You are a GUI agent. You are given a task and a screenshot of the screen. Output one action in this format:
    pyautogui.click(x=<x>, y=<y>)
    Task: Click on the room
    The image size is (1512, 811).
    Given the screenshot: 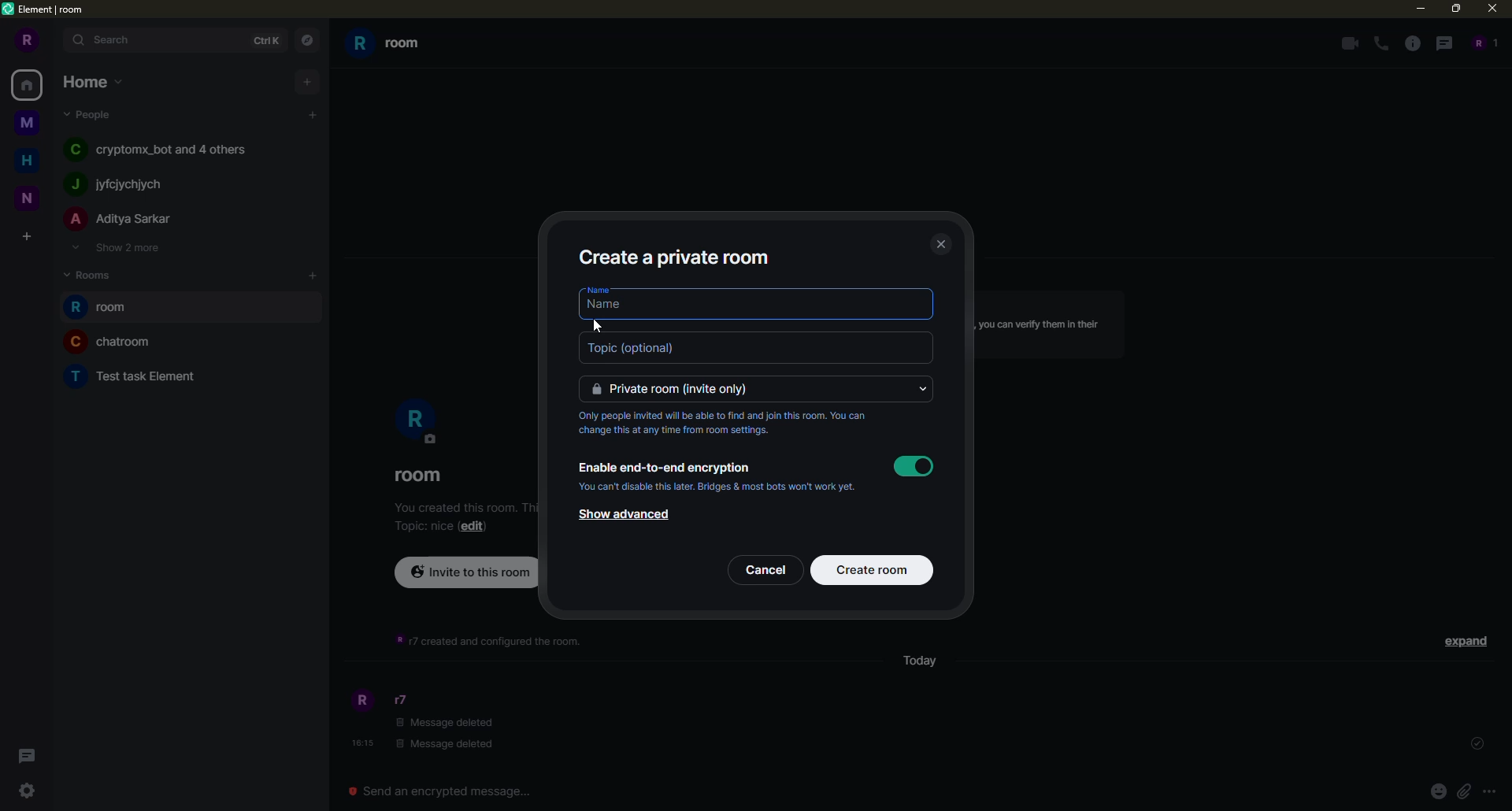 What is the action you would take?
    pyautogui.click(x=118, y=341)
    